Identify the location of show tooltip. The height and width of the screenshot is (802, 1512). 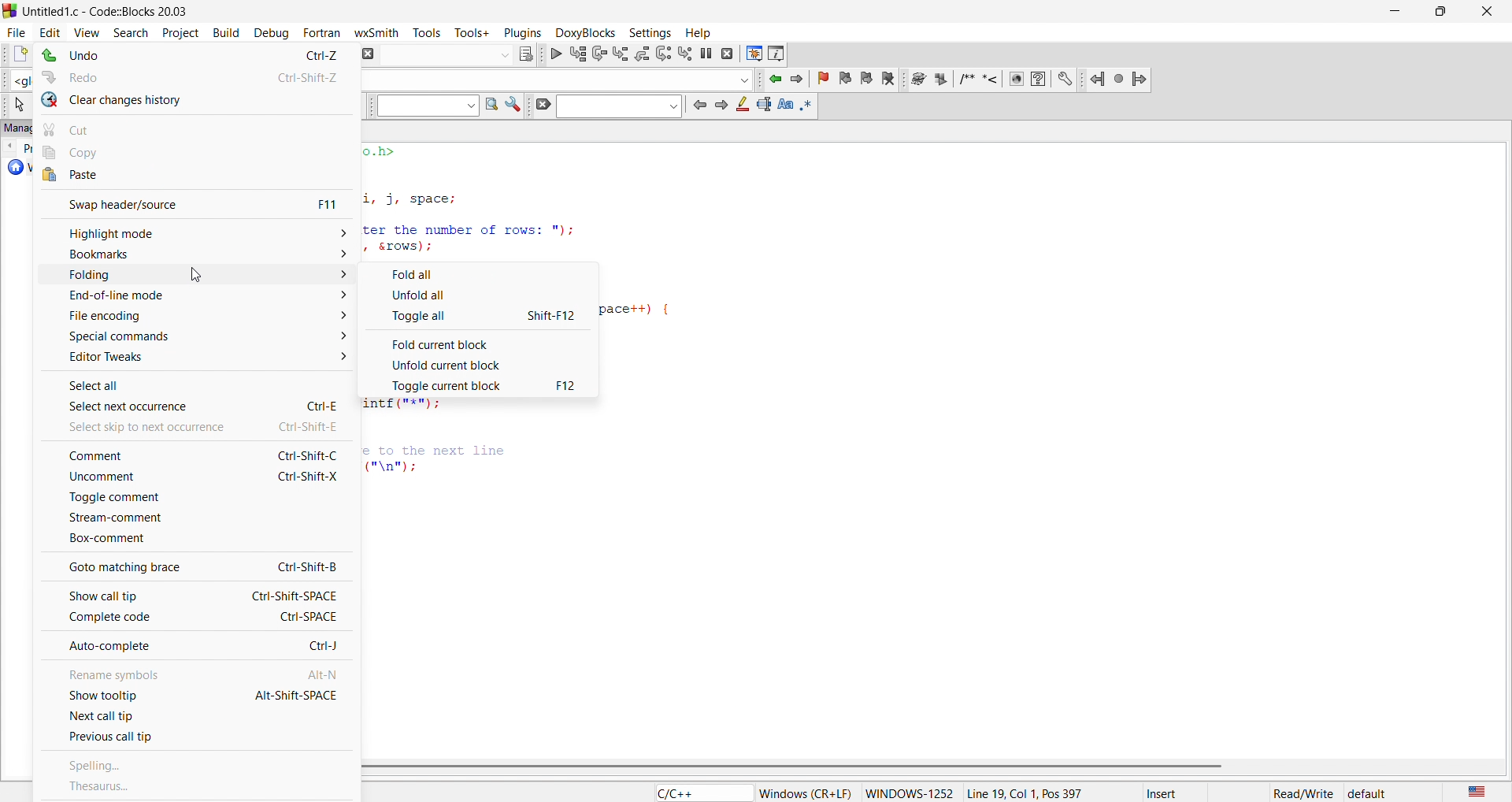
(192, 695).